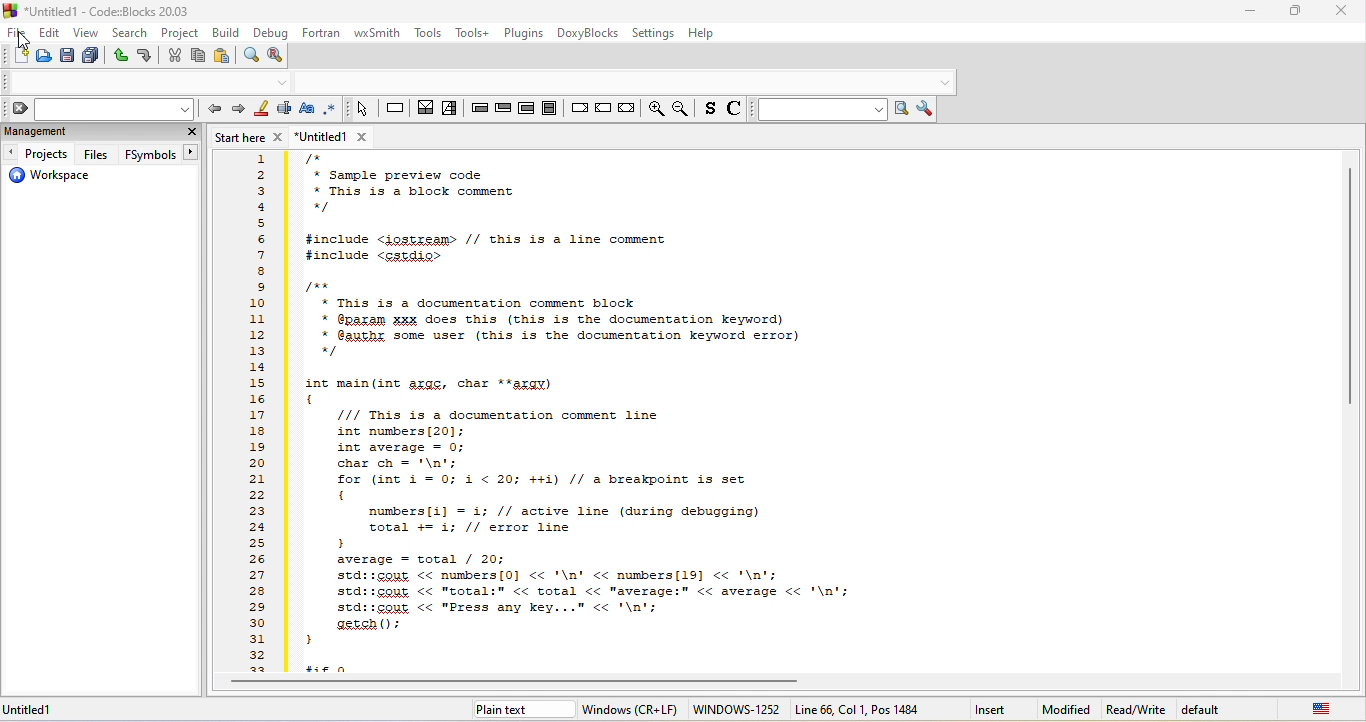  I want to click on selected text, so click(285, 111).